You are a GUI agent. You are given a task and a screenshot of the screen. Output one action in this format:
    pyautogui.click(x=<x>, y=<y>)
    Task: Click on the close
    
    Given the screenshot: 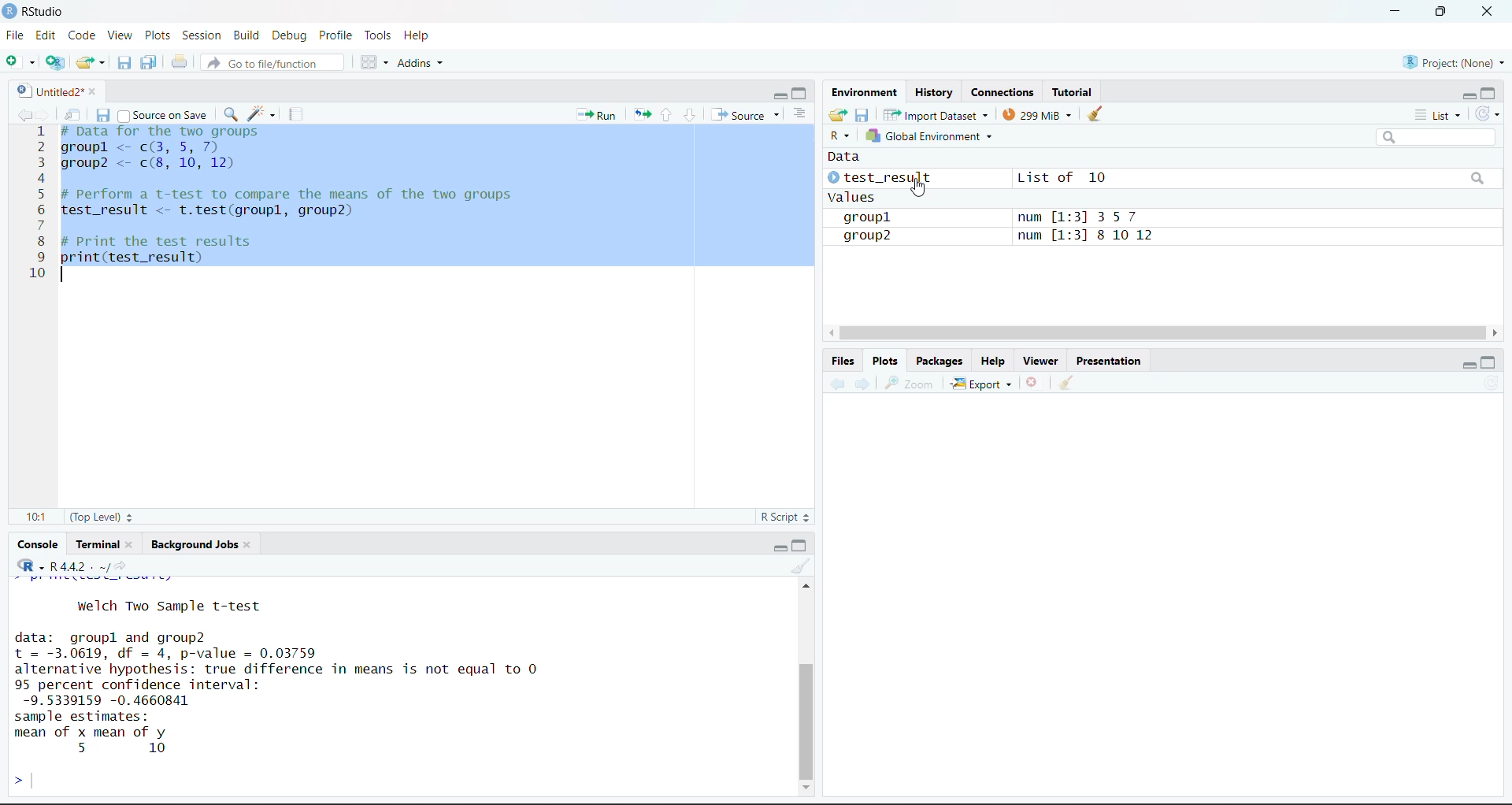 What is the action you would take?
    pyautogui.click(x=246, y=545)
    